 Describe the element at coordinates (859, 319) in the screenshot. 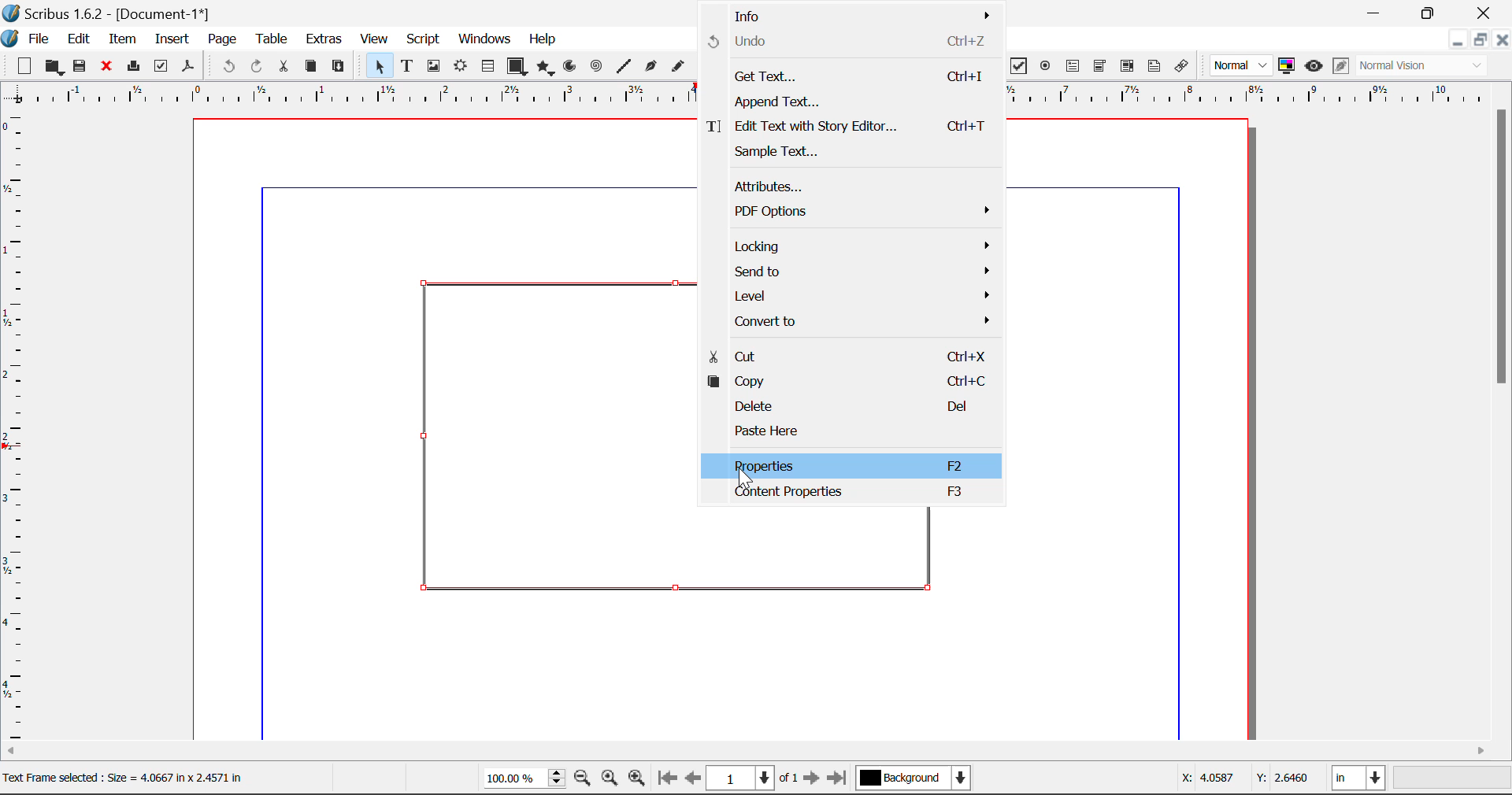

I see `Convert to` at that location.